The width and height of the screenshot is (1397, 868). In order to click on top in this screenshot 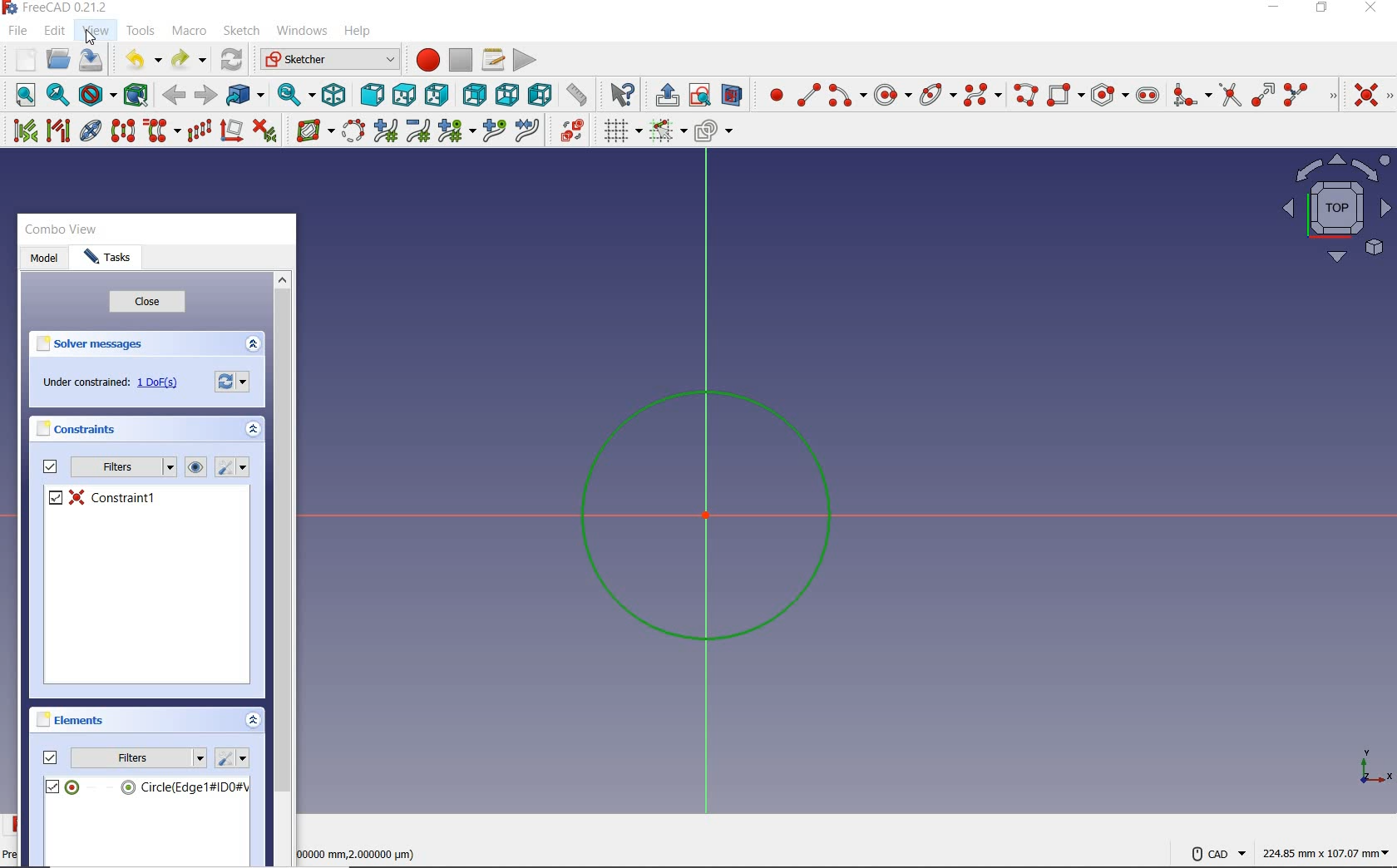, I will do `click(404, 93)`.